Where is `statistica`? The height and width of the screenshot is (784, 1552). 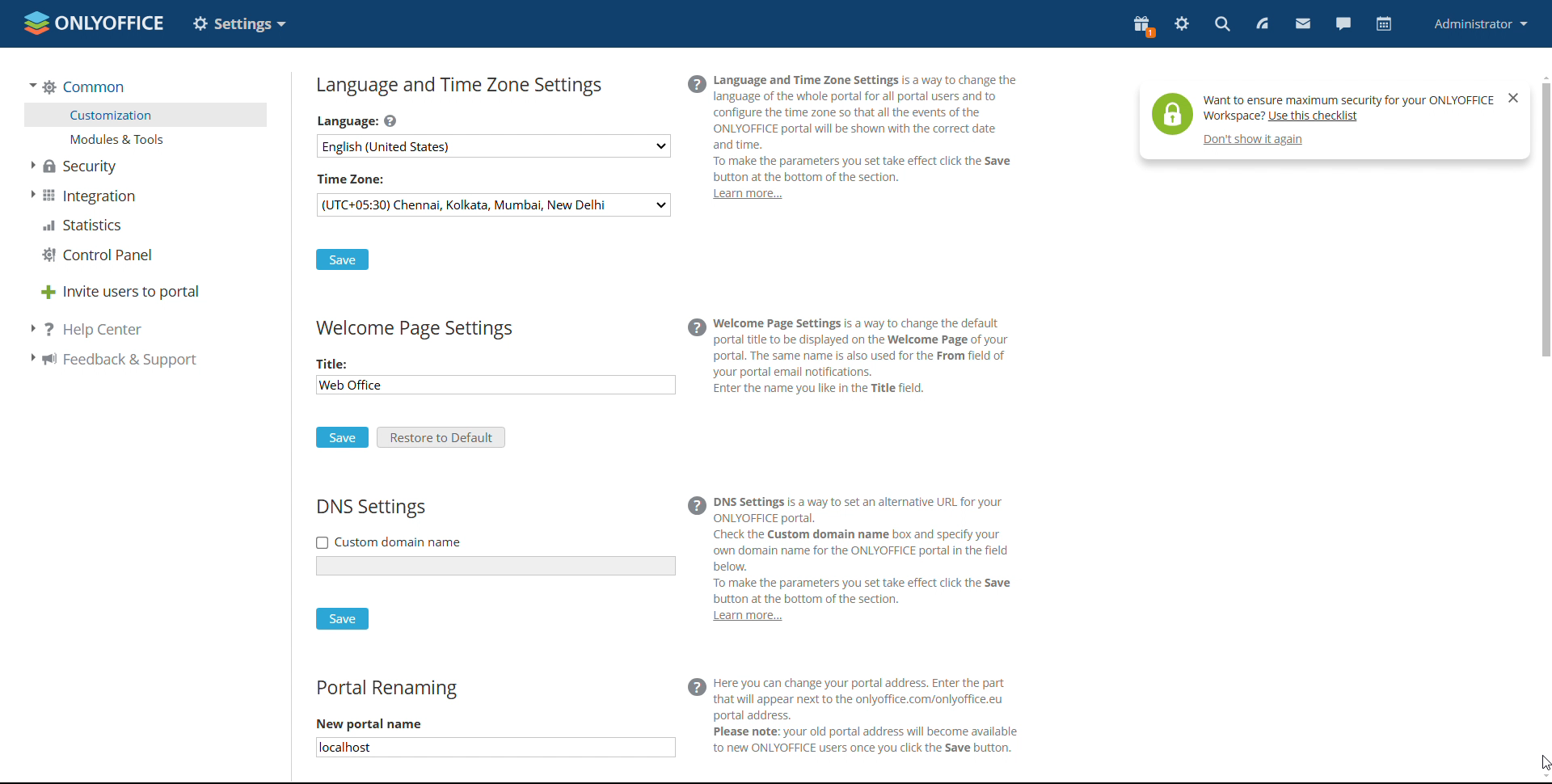
statistica is located at coordinates (84, 226).